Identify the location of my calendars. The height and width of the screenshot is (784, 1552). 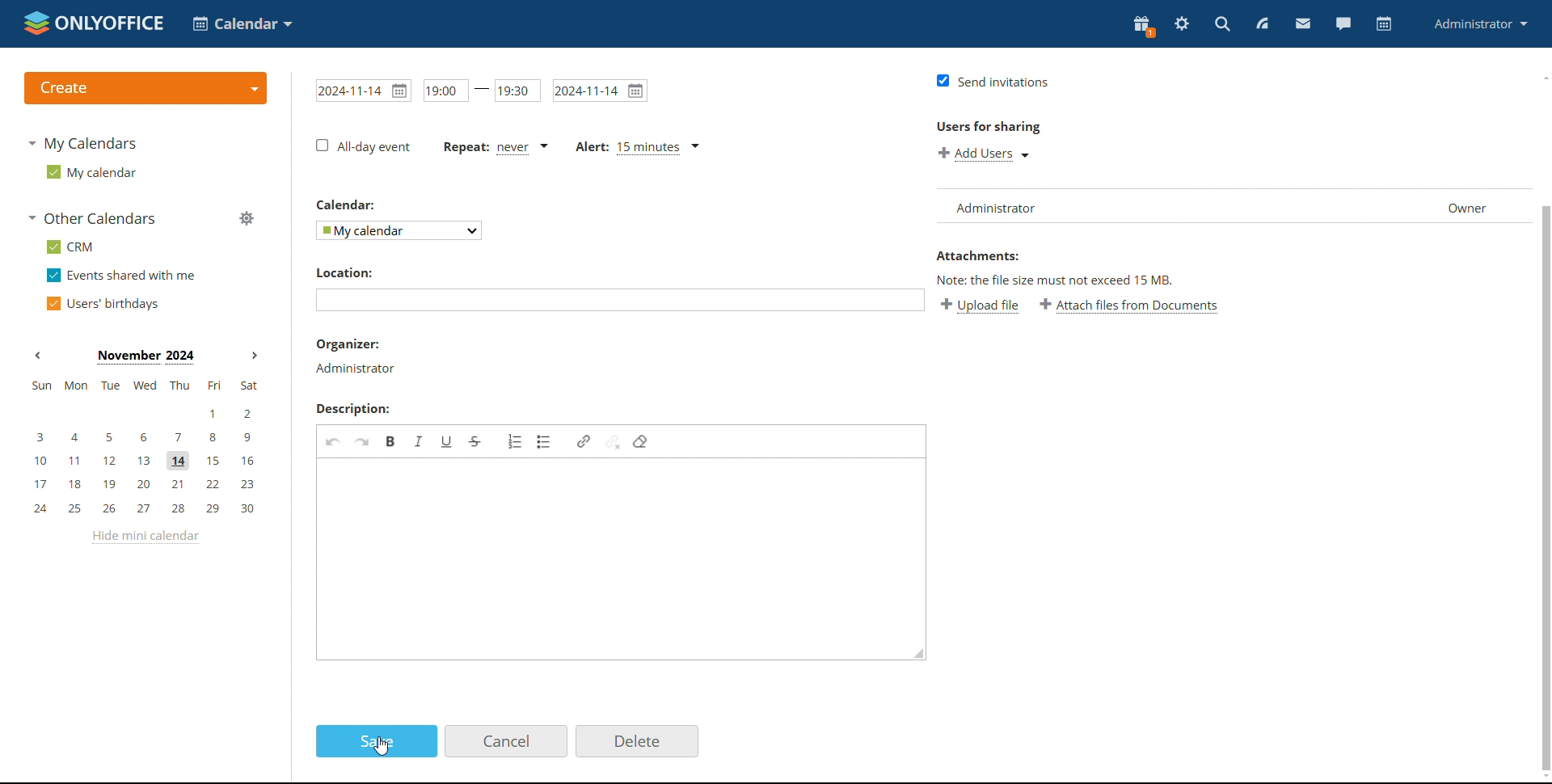
(82, 142).